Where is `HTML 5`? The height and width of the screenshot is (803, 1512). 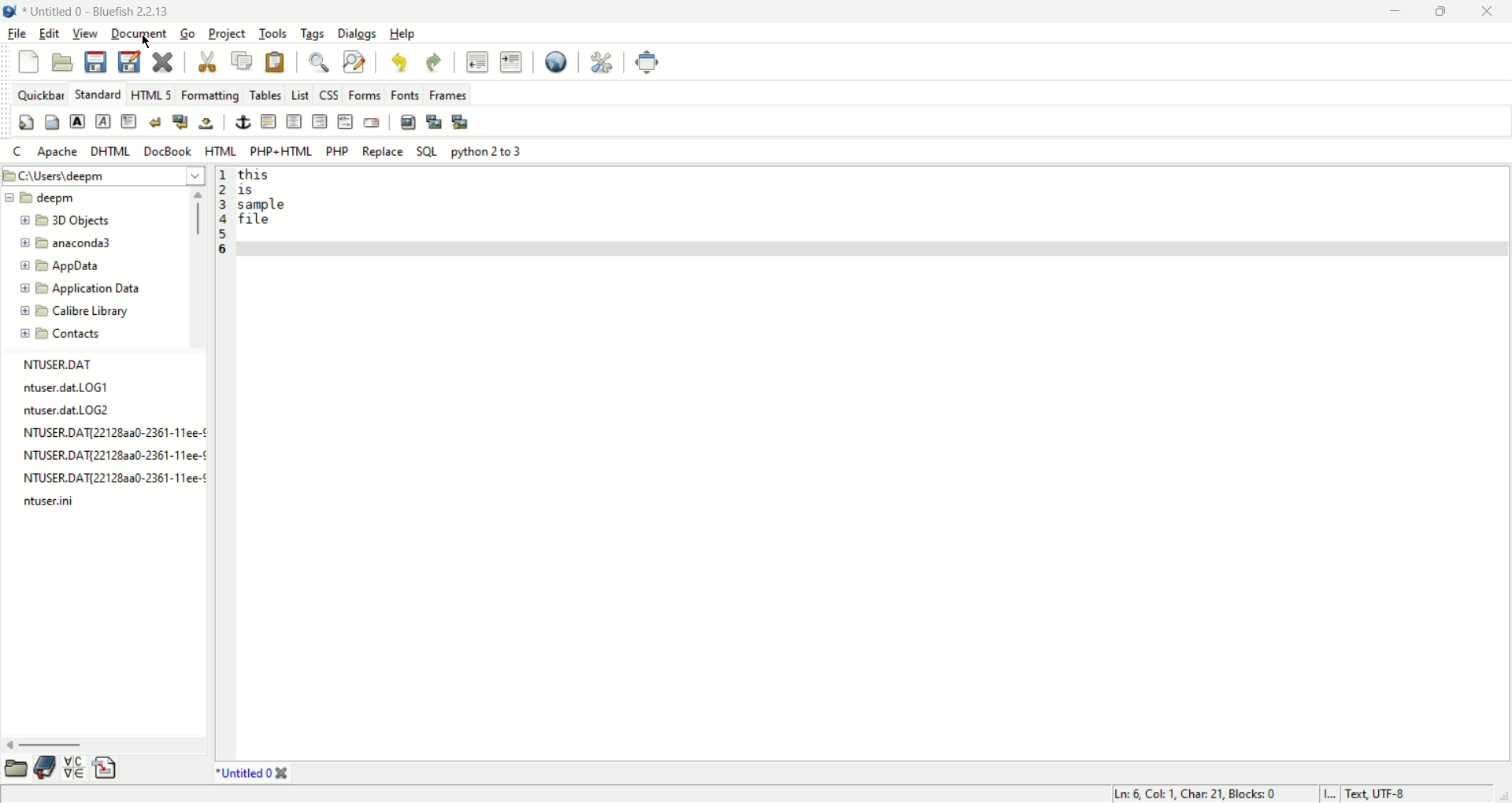 HTML 5 is located at coordinates (153, 94).